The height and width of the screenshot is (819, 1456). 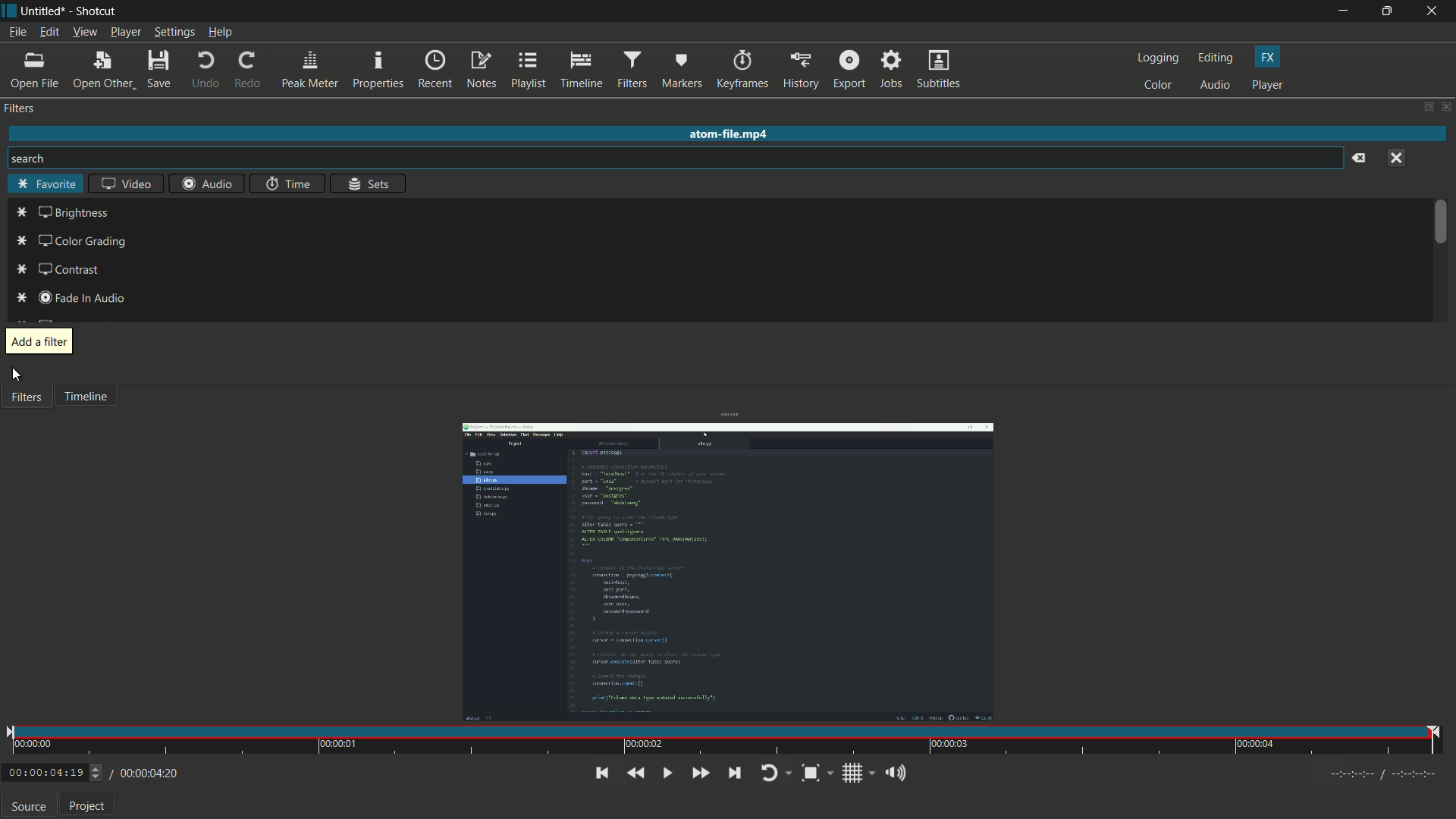 I want to click on maximize, so click(x=1390, y=11).